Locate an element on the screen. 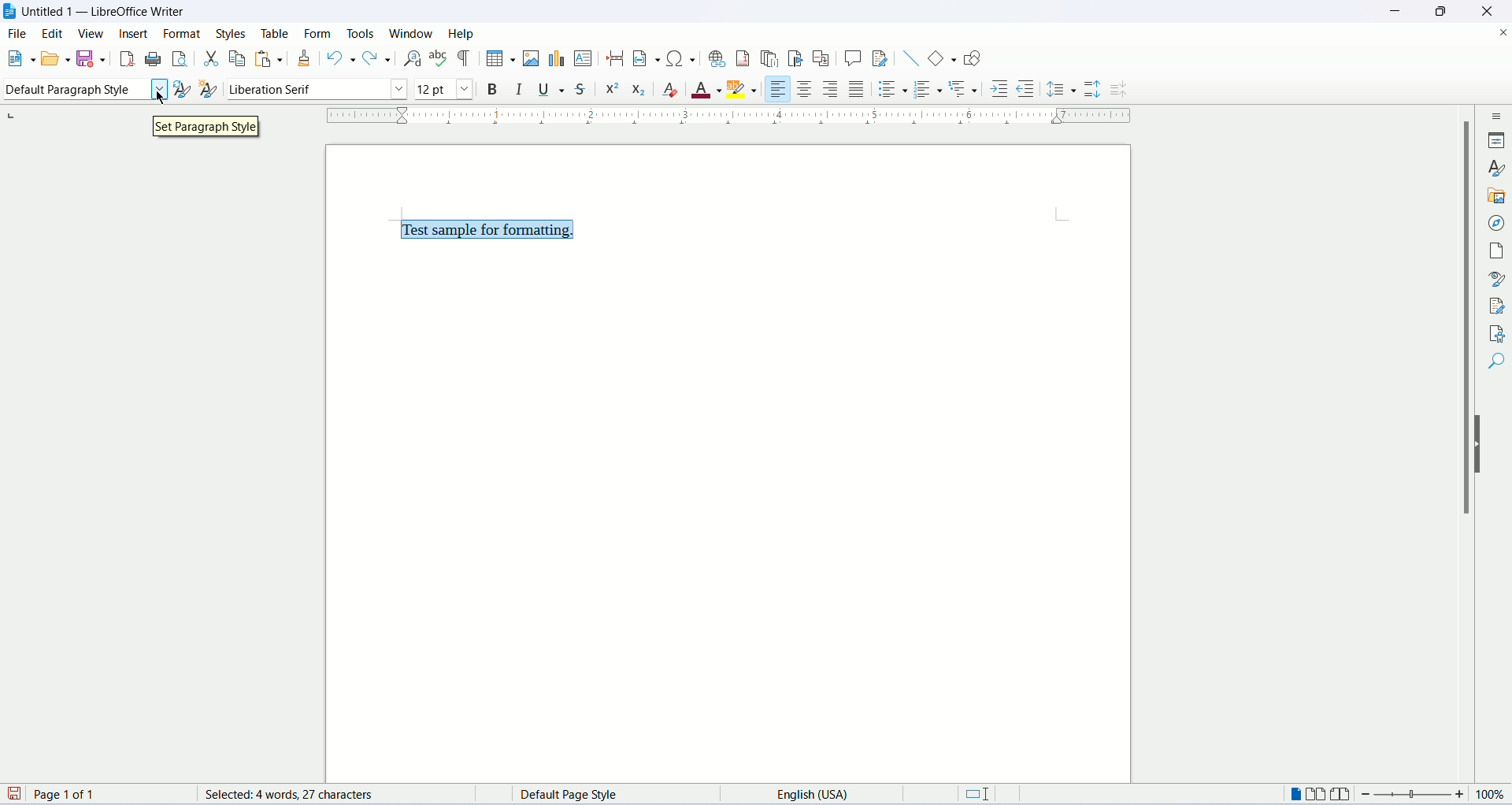 This screenshot has height=805, width=1512. remove formatting is located at coordinates (674, 91).